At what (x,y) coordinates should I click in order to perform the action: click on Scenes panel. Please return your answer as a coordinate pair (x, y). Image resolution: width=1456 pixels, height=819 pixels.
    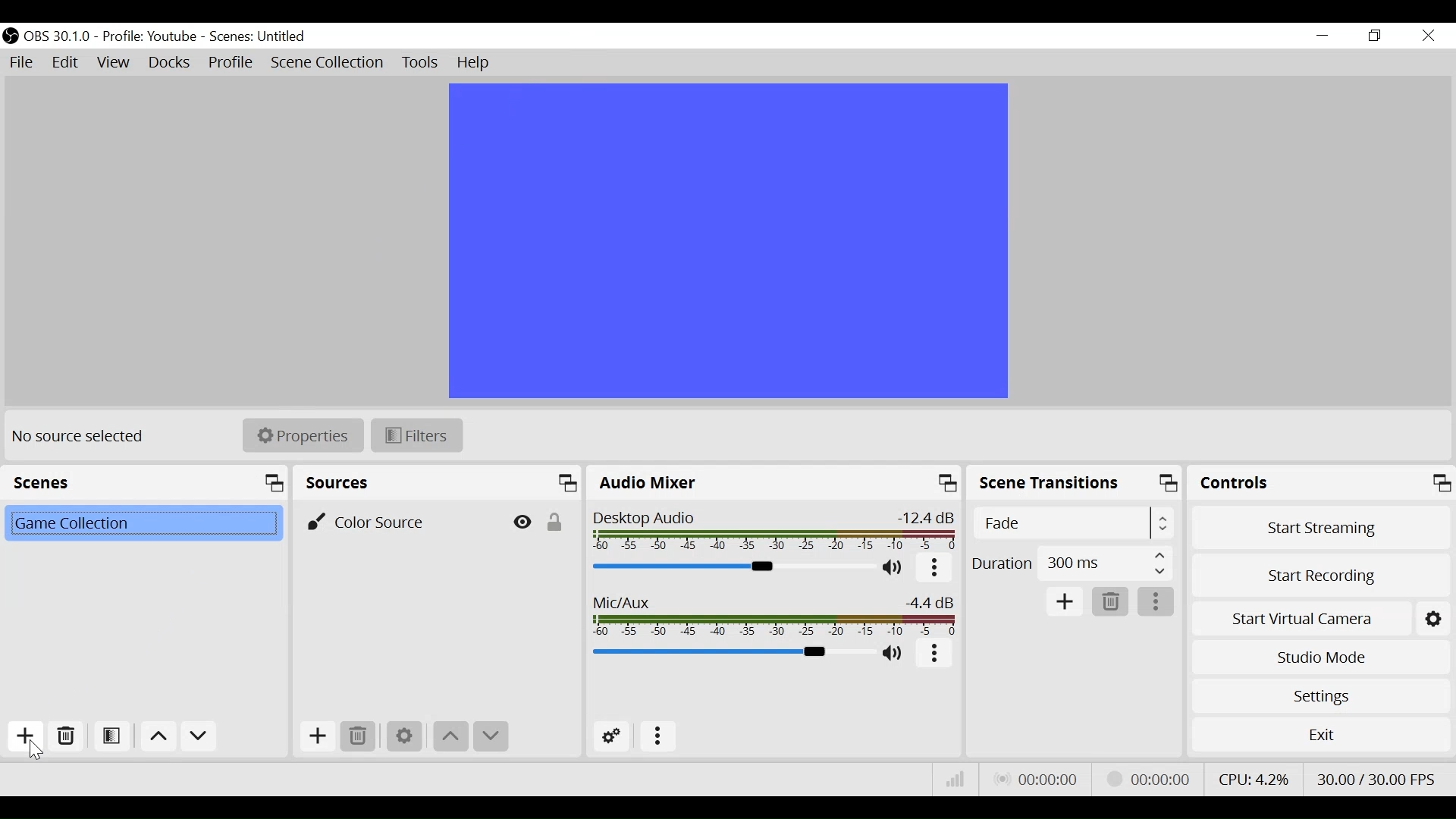
    Looking at the image, I should click on (147, 483).